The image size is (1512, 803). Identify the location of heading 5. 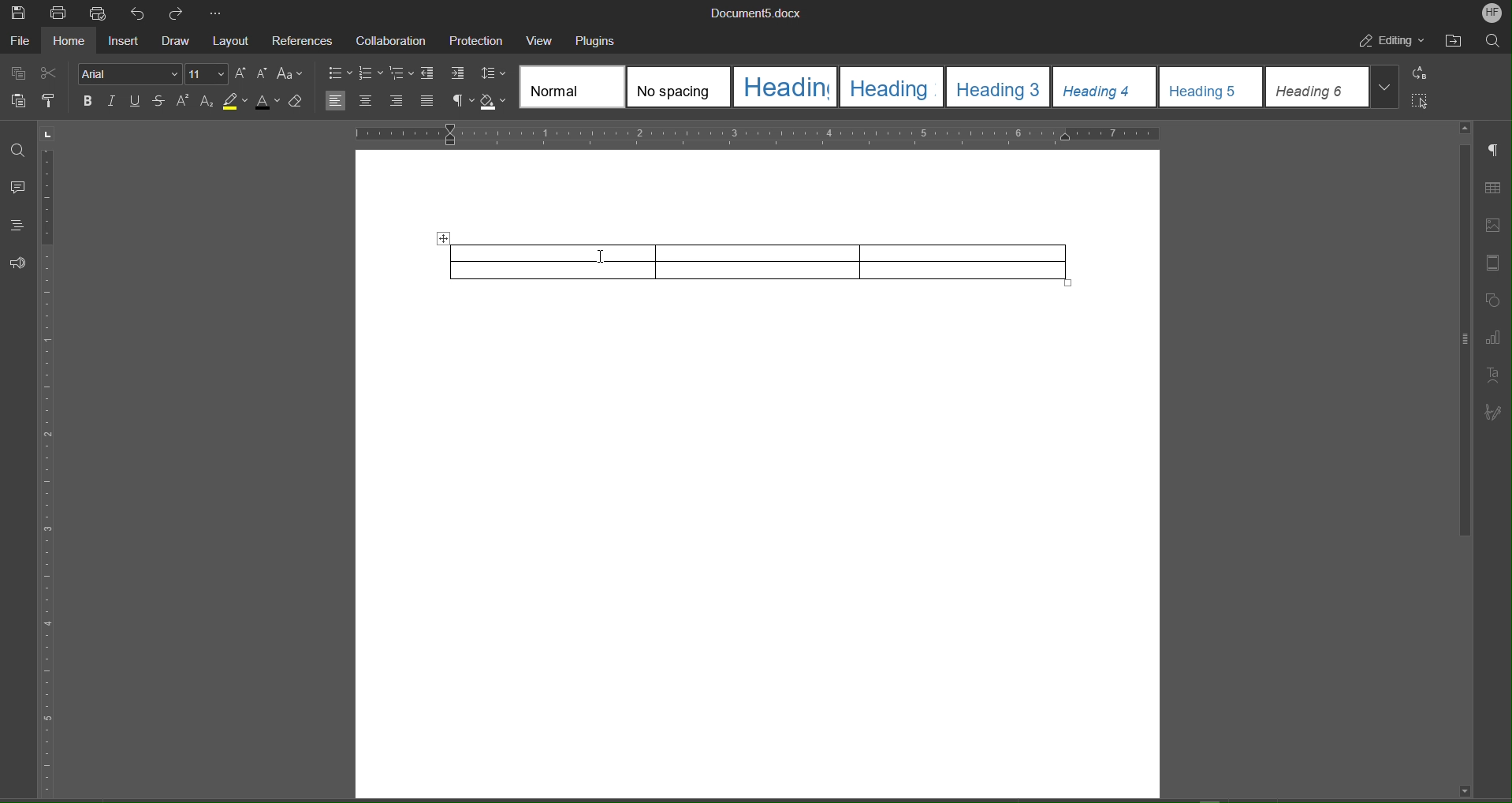
(1212, 87).